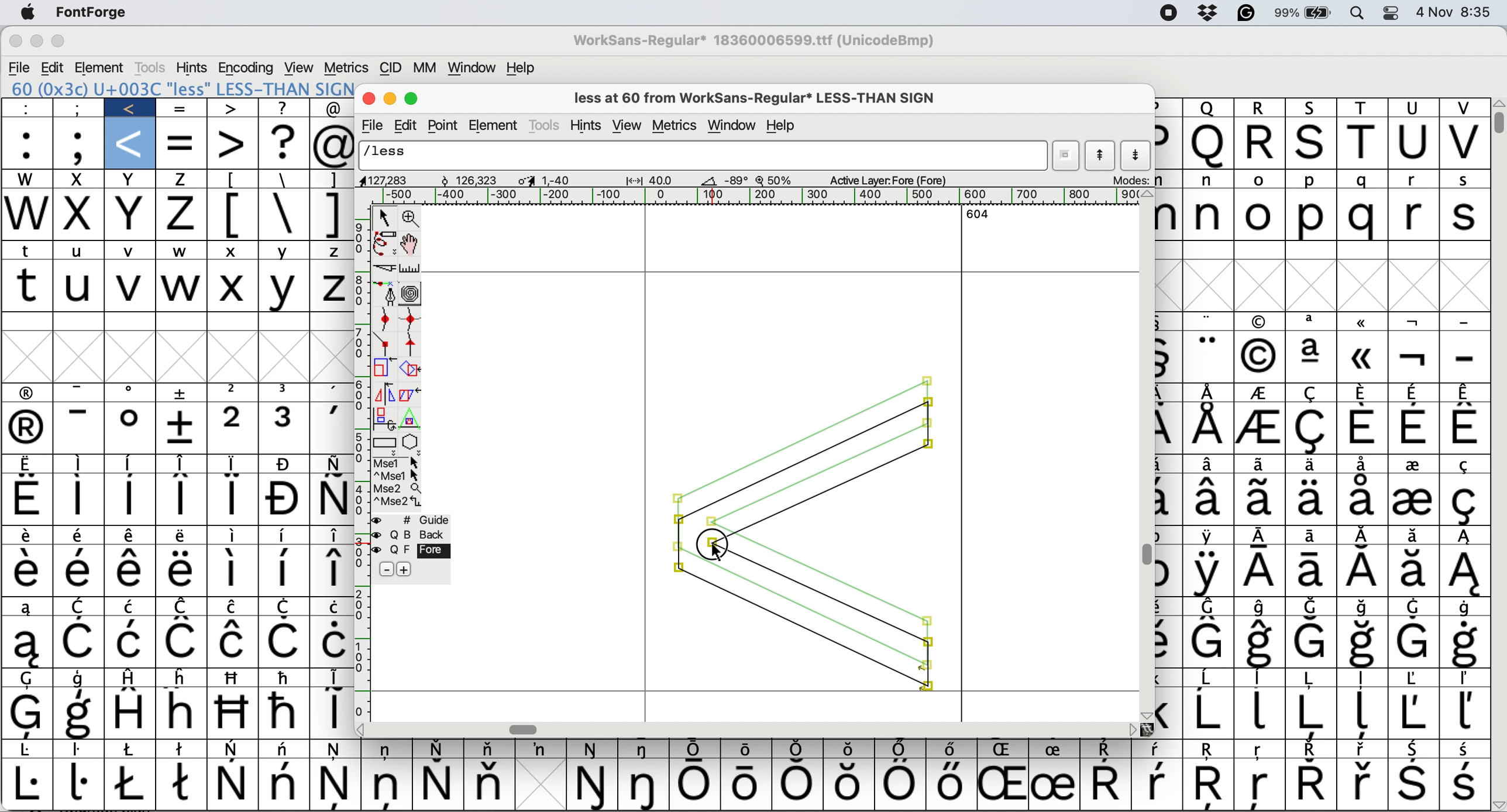 The width and height of the screenshot is (1507, 812). What do you see at coordinates (446, 125) in the screenshot?
I see `point` at bounding box center [446, 125].